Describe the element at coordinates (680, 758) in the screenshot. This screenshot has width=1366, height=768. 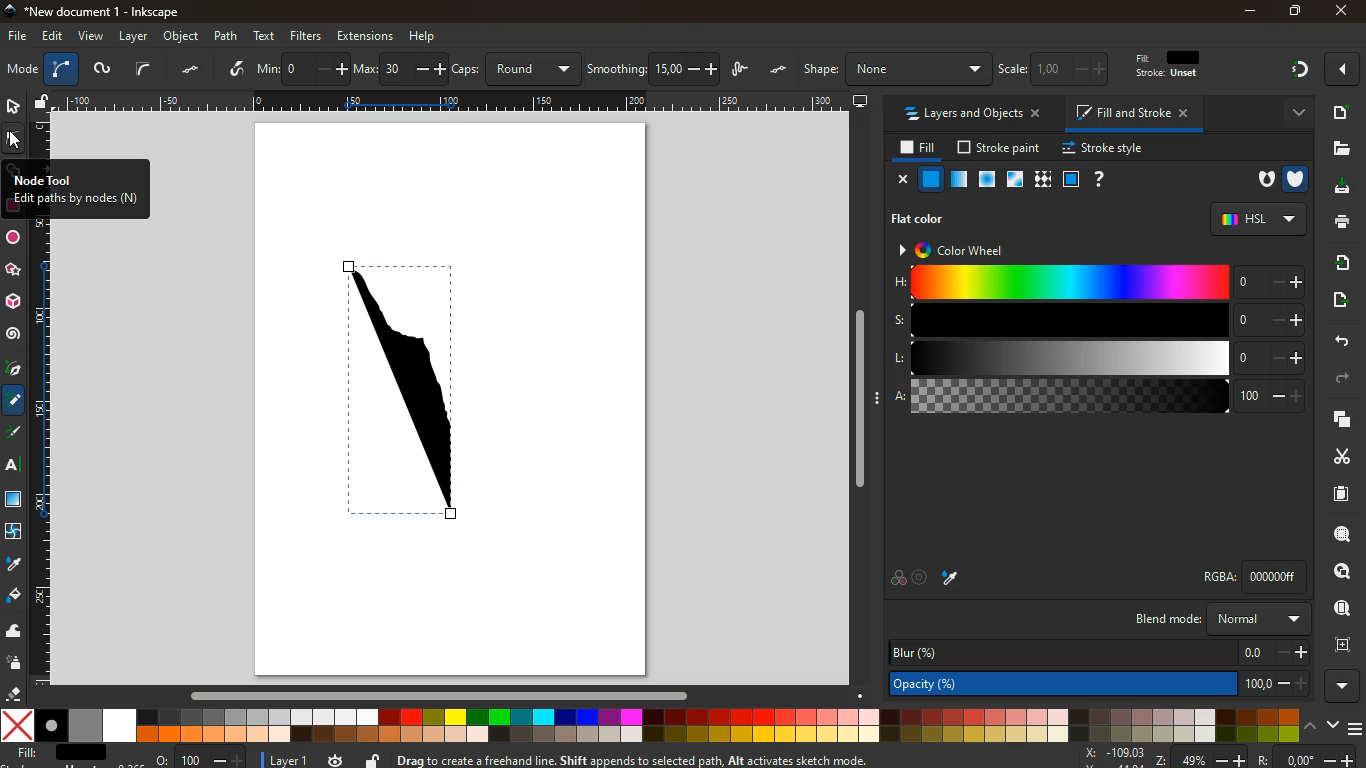
I see `description` at that location.